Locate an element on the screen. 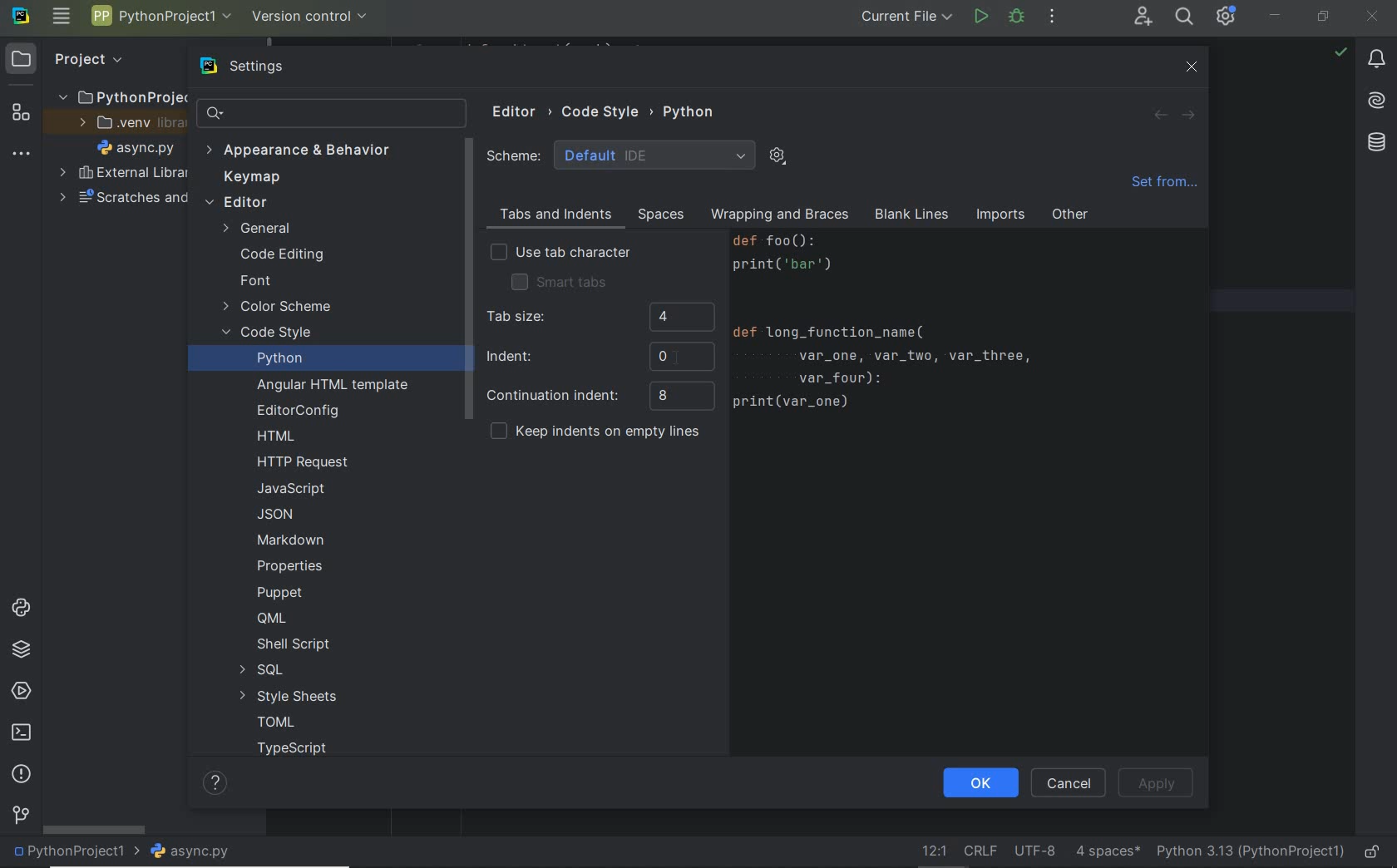  HTTP REQUEST is located at coordinates (305, 462).